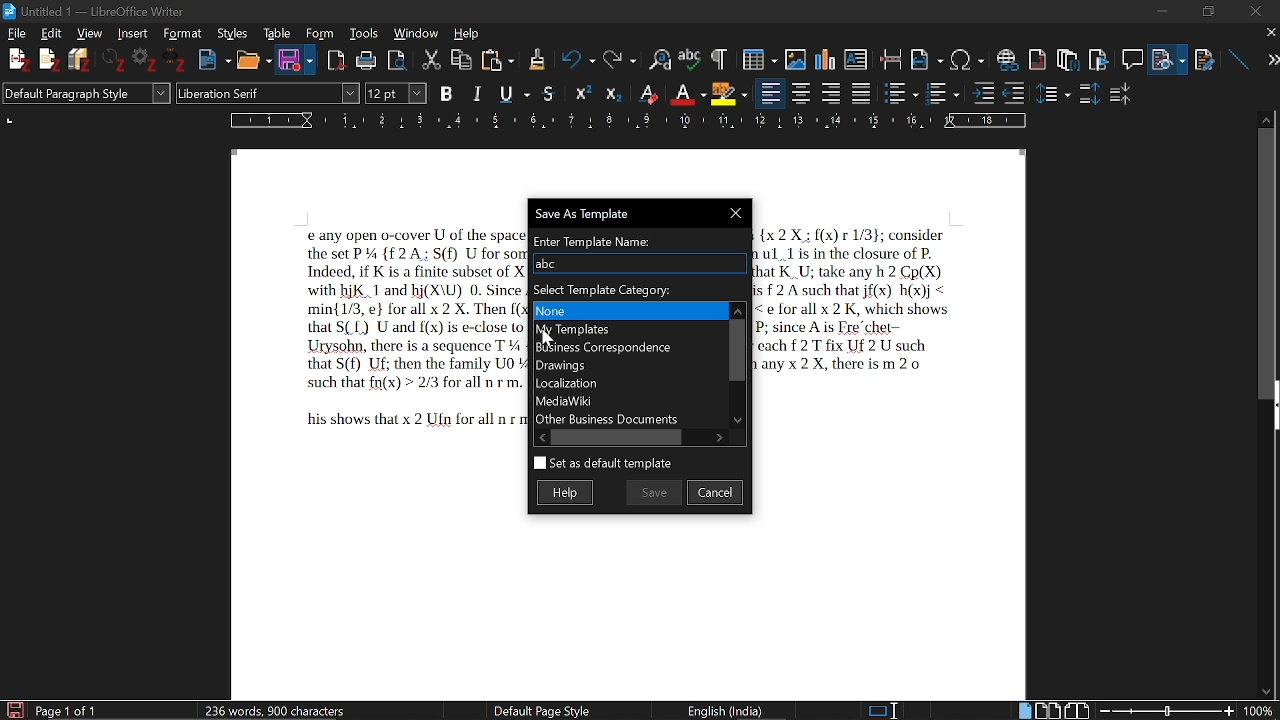  I want to click on Categories, so click(628, 364).